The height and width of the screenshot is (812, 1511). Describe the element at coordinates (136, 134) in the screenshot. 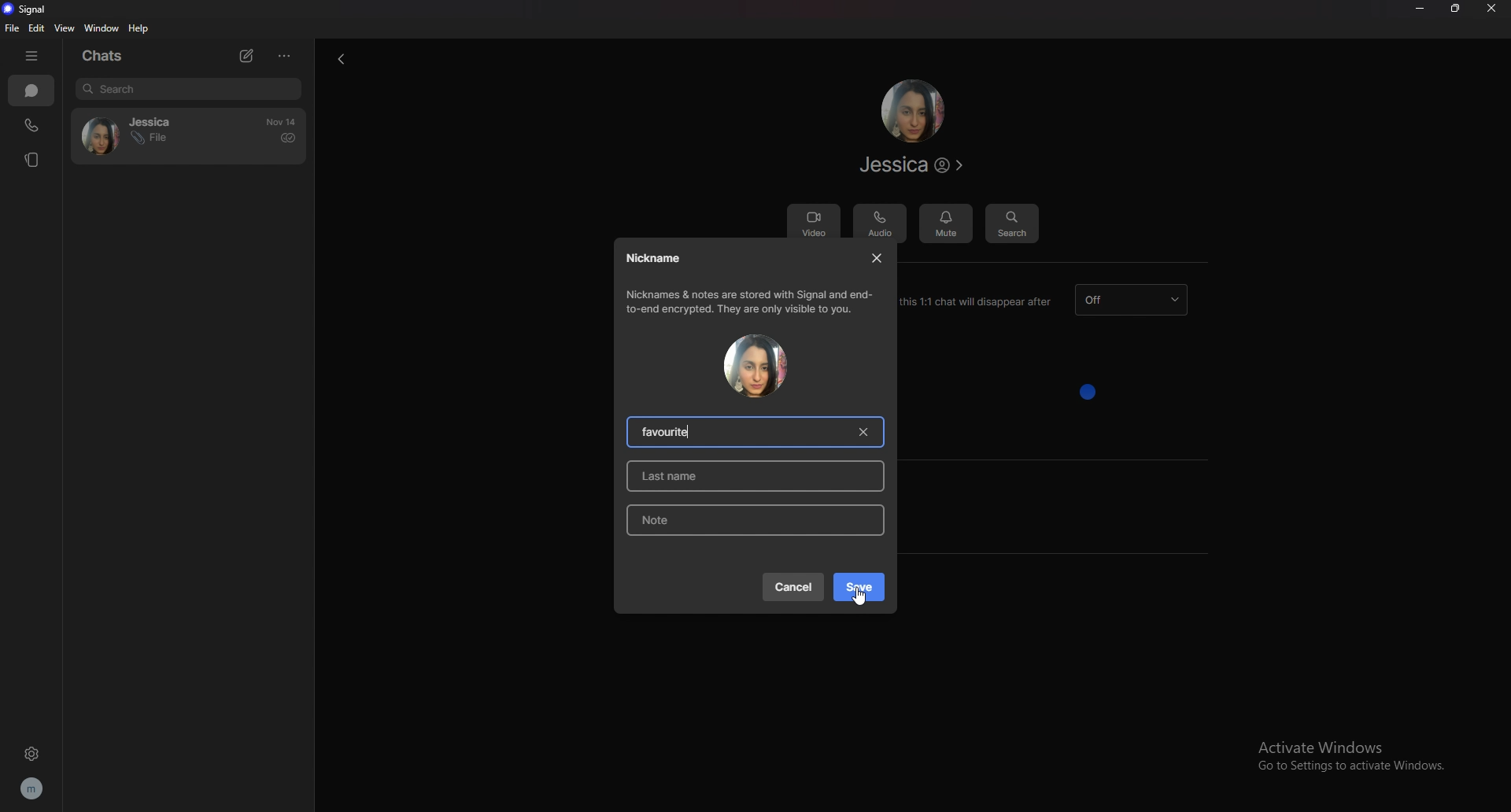

I see `contact` at that location.